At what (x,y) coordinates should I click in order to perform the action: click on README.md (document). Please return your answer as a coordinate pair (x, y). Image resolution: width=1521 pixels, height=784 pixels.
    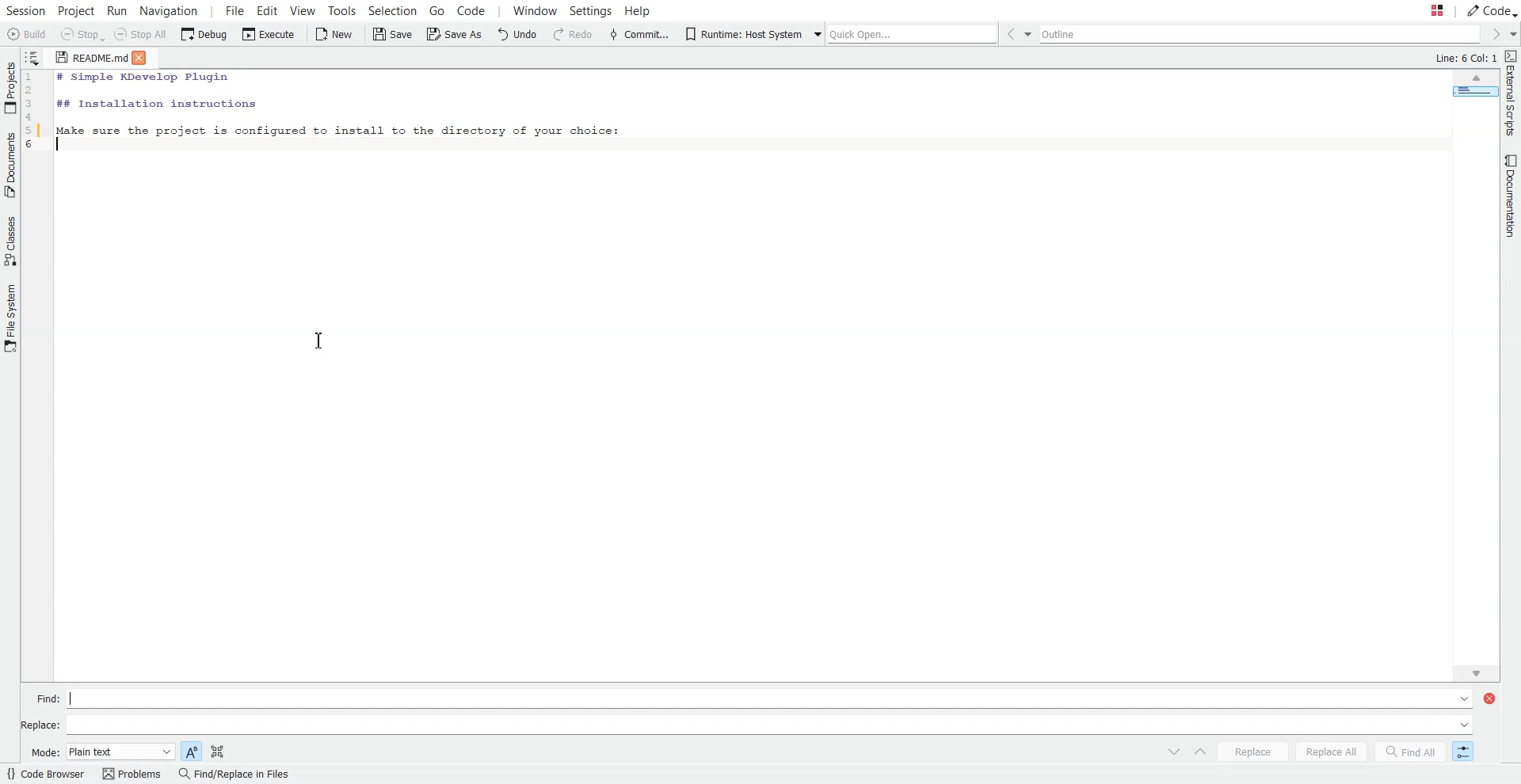
    Looking at the image, I should click on (91, 59).